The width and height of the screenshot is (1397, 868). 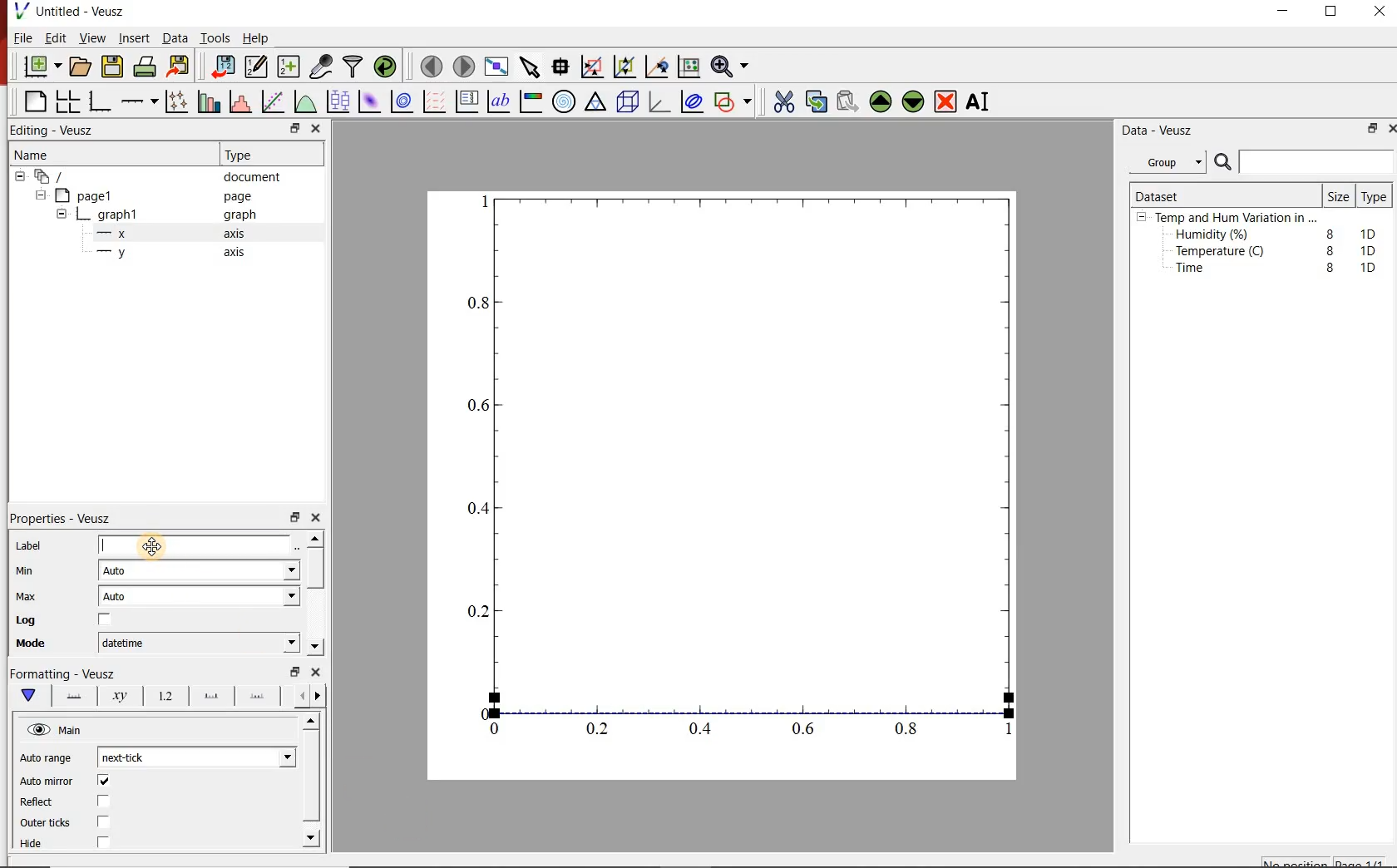 What do you see at coordinates (562, 67) in the screenshot?
I see `Read data points on the graph` at bounding box center [562, 67].